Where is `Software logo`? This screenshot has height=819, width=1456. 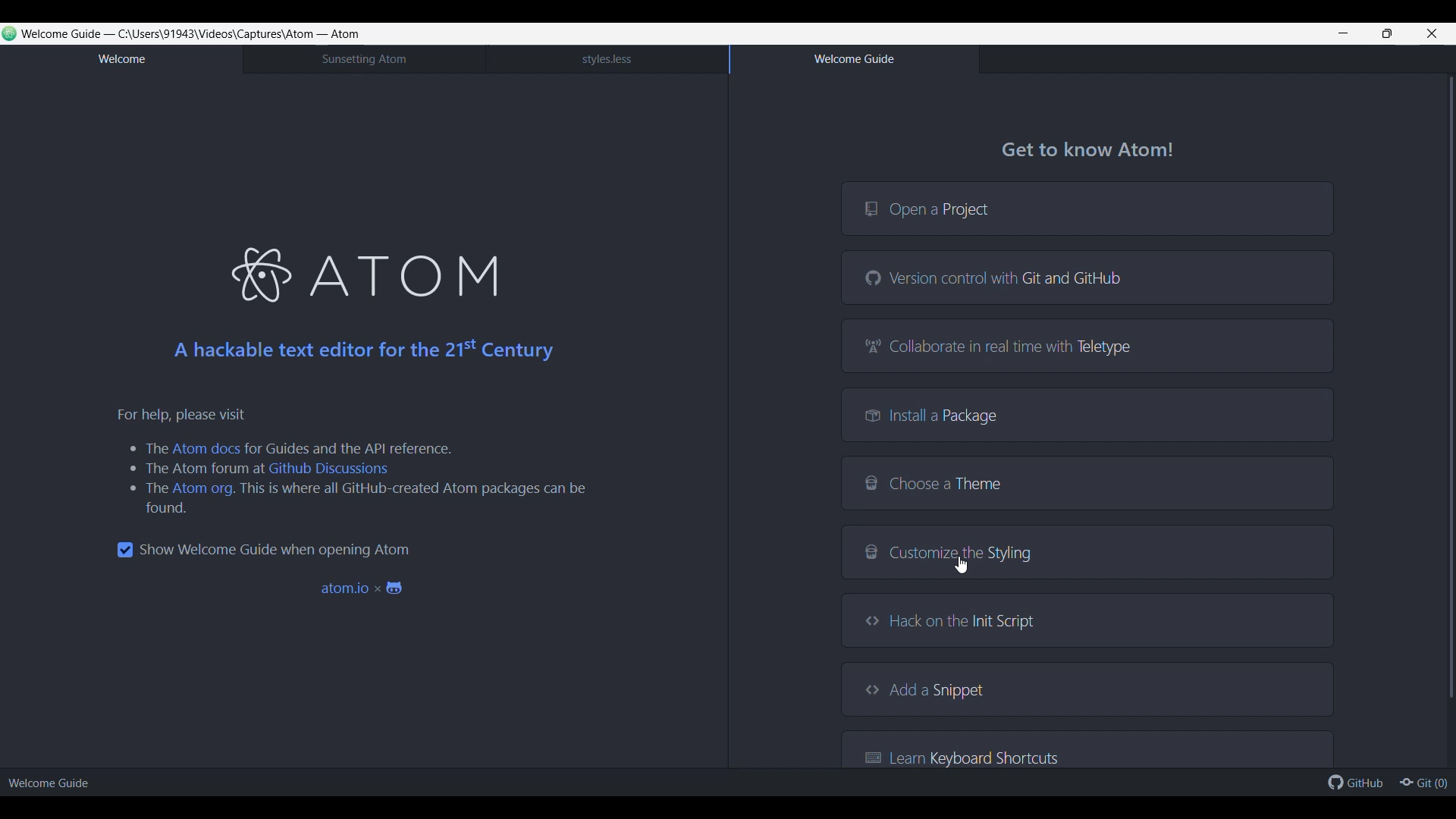 Software logo is located at coordinates (10, 33).